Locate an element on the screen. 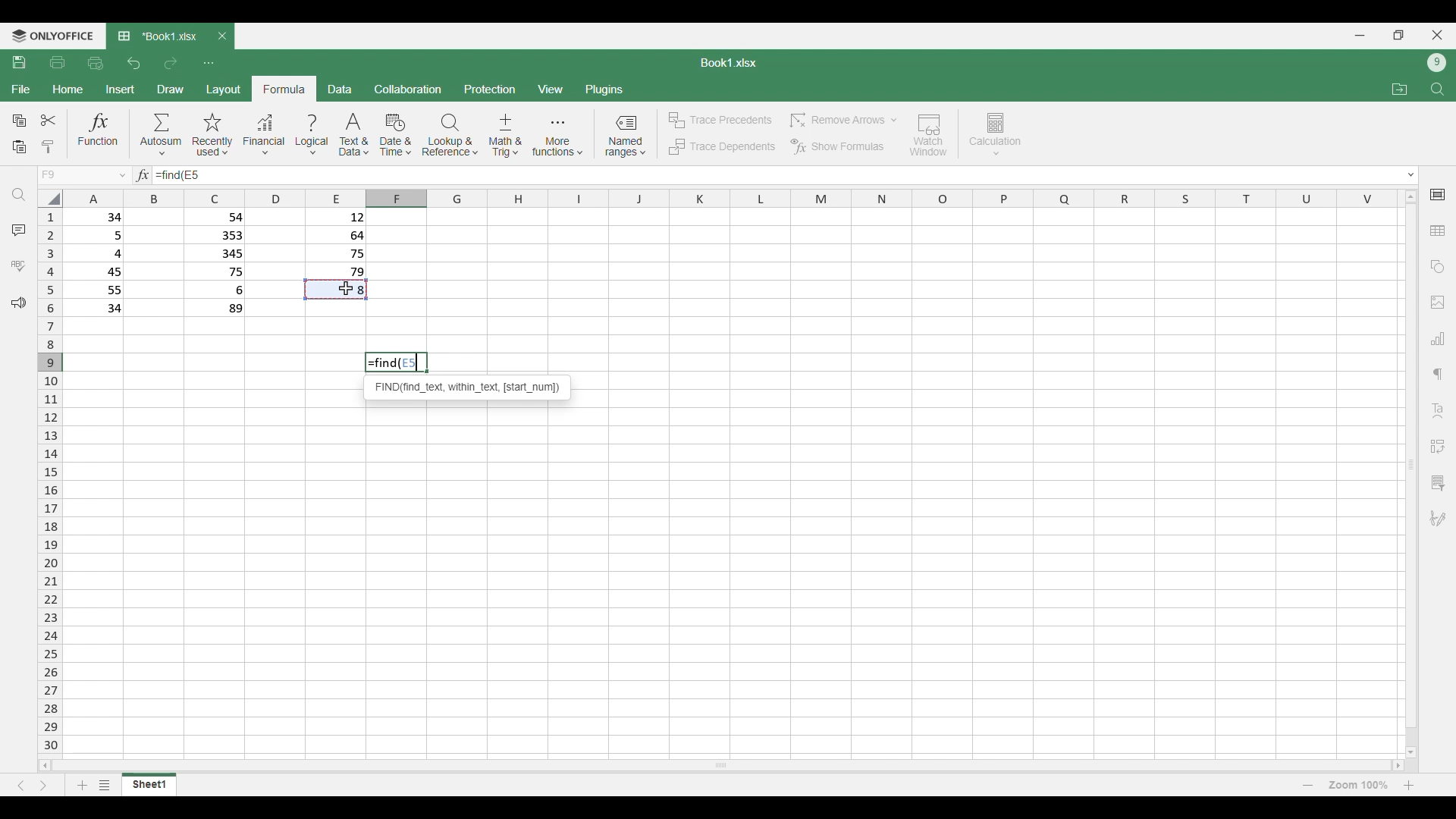 The height and width of the screenshot is (819, 1456). Draw menu is located at coordinates (170, 89).